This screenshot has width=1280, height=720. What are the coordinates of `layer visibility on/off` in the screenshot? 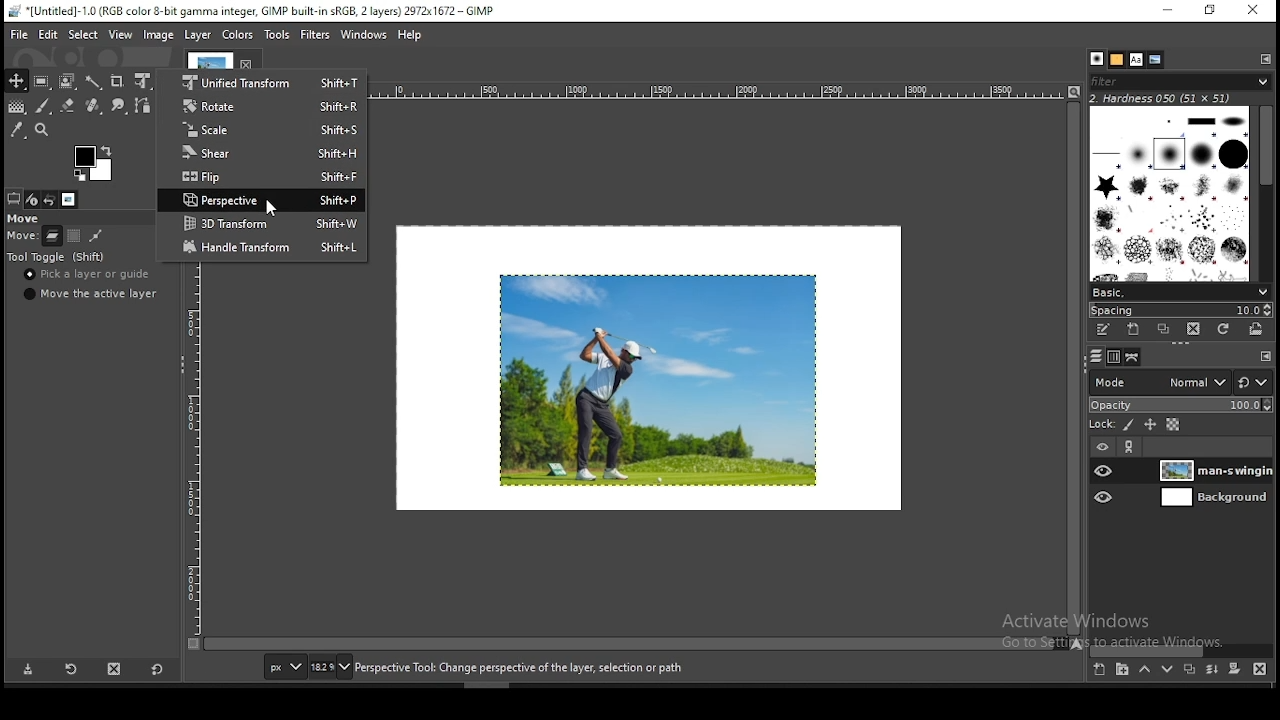 It's located at (1103, 471).